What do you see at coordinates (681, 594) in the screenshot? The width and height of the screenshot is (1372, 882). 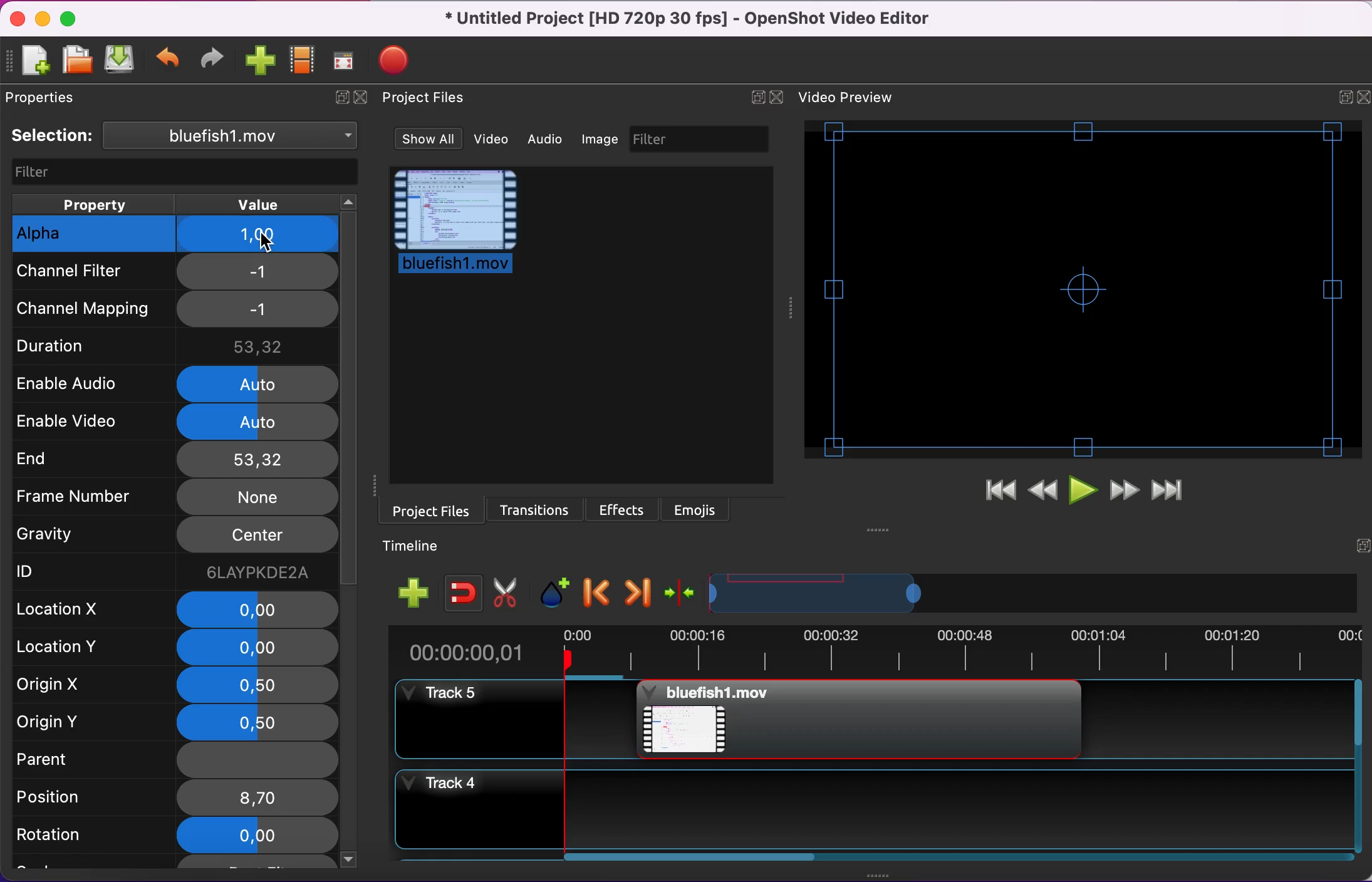 I see `center the timeline` at bounding box center [681, 594].